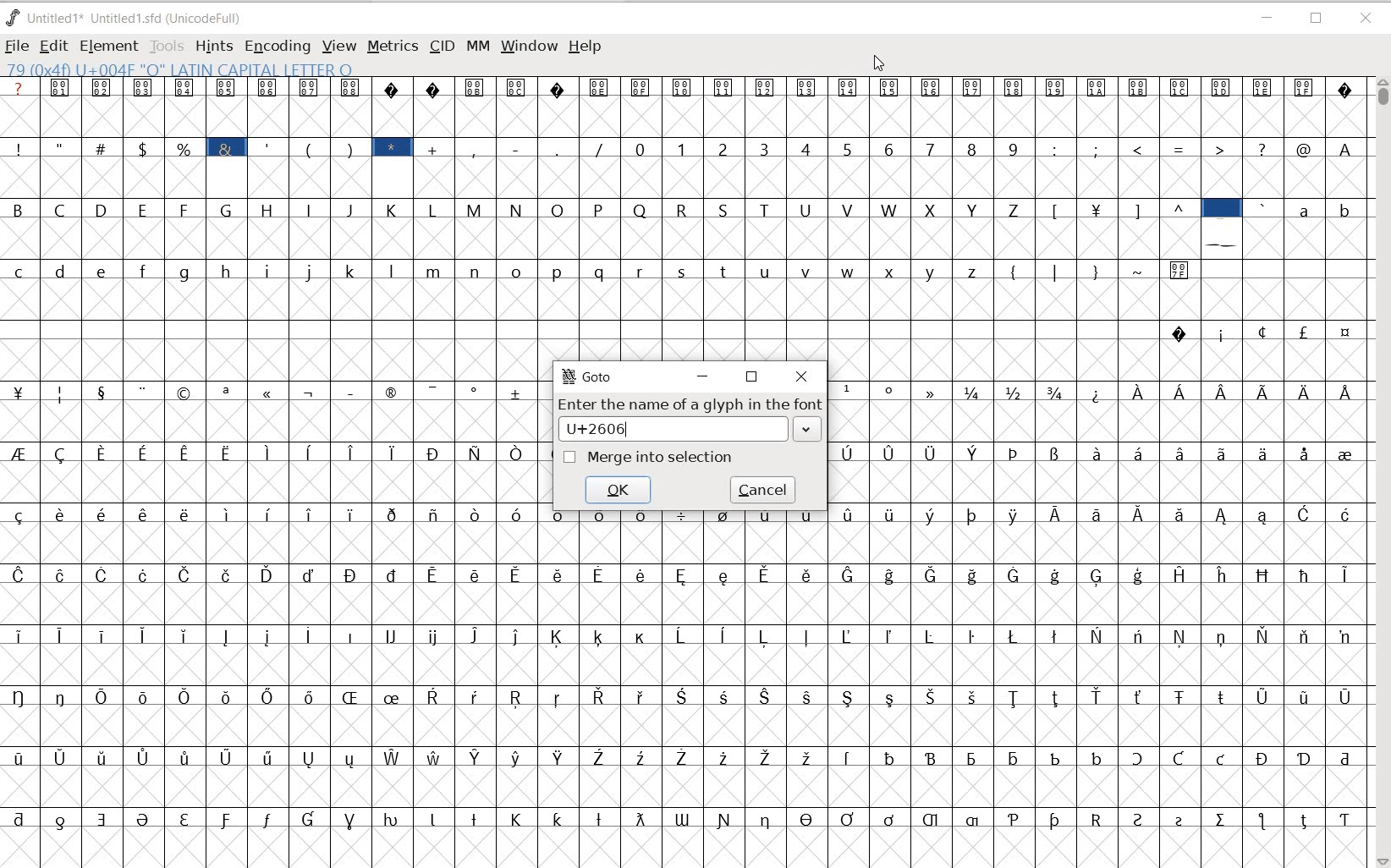  What do you see at coordinates (16, 47) in the screenshot?
I see `FILE` at bounding box center [16, 47].